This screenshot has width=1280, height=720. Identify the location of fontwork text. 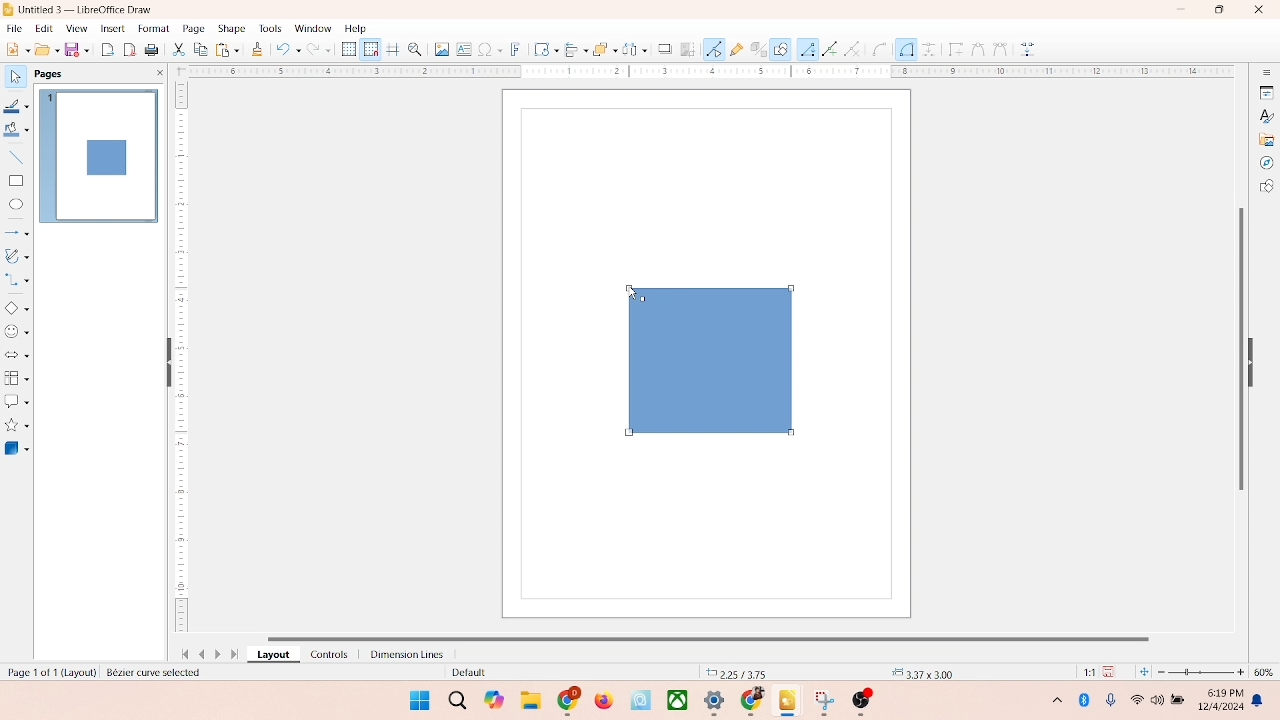
(516, 47).